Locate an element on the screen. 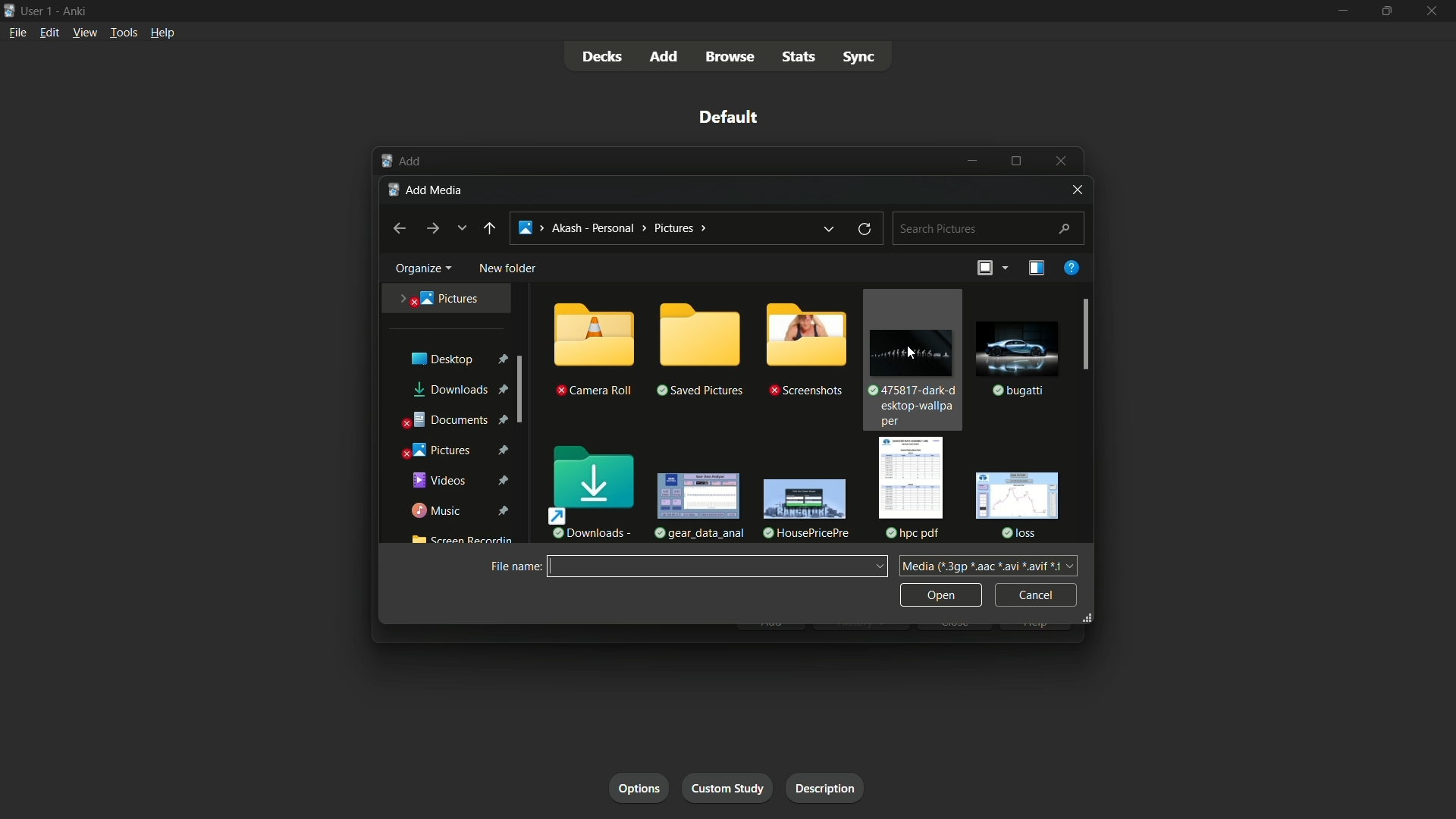 Image resolution: width=1456 pixels, height=819 pixels. show the preview pane is located at coordinates (1032, 268).